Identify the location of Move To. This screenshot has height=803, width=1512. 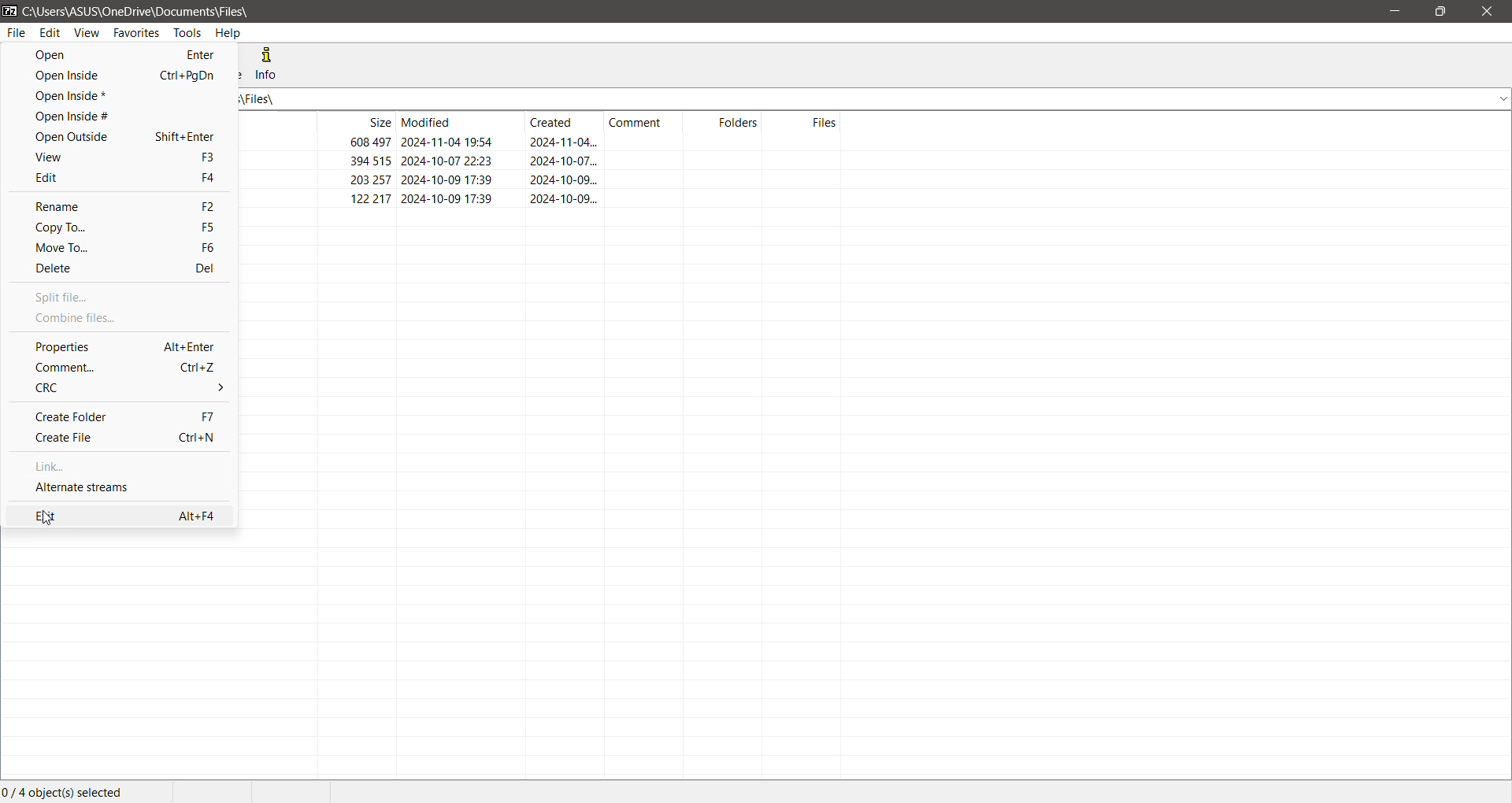
(125, 248).